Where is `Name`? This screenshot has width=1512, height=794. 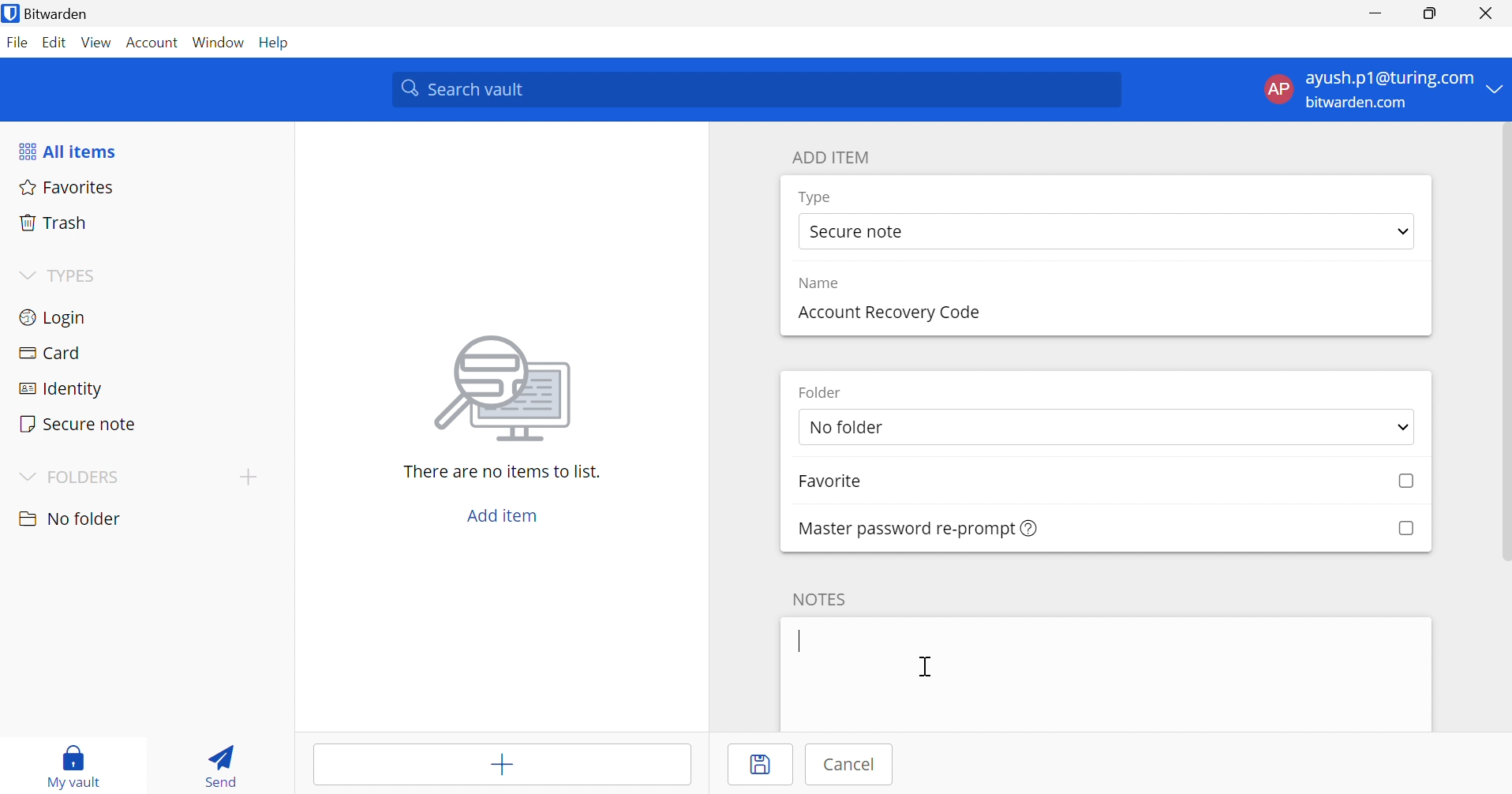
Name is located at coordinates (824, 283).